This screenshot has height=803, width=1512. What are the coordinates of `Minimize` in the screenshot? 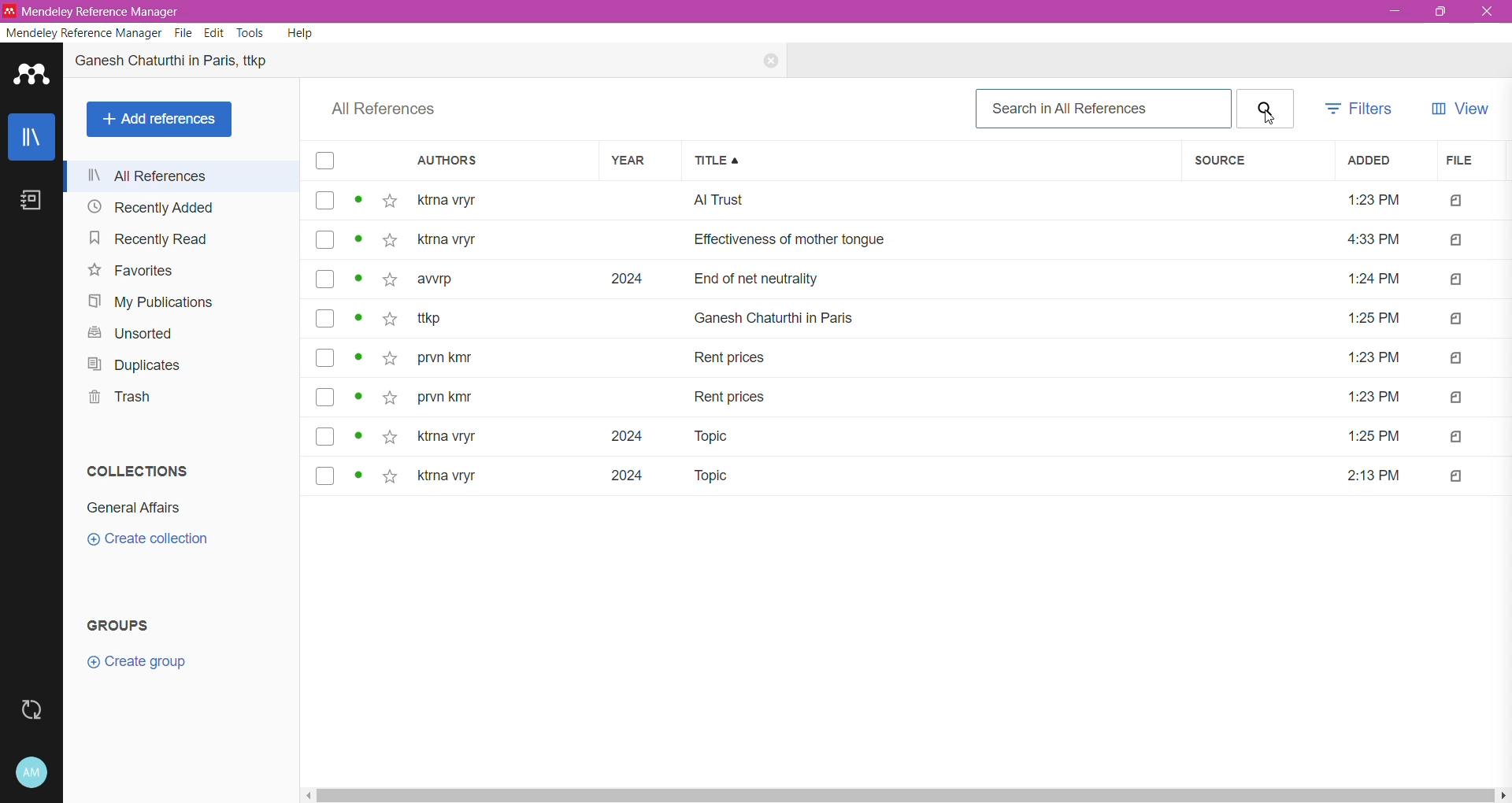 It's located at (1391, 13).